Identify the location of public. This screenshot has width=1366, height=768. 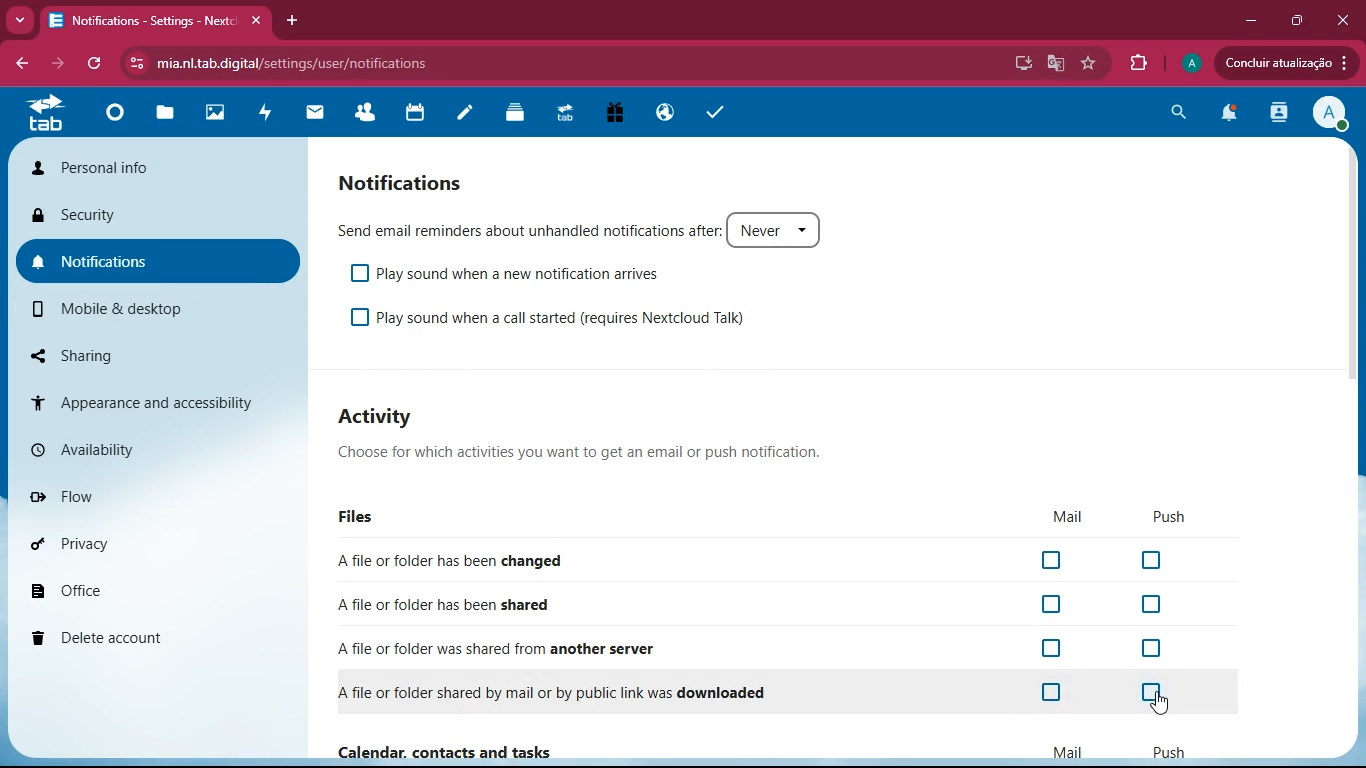
(661, 111).